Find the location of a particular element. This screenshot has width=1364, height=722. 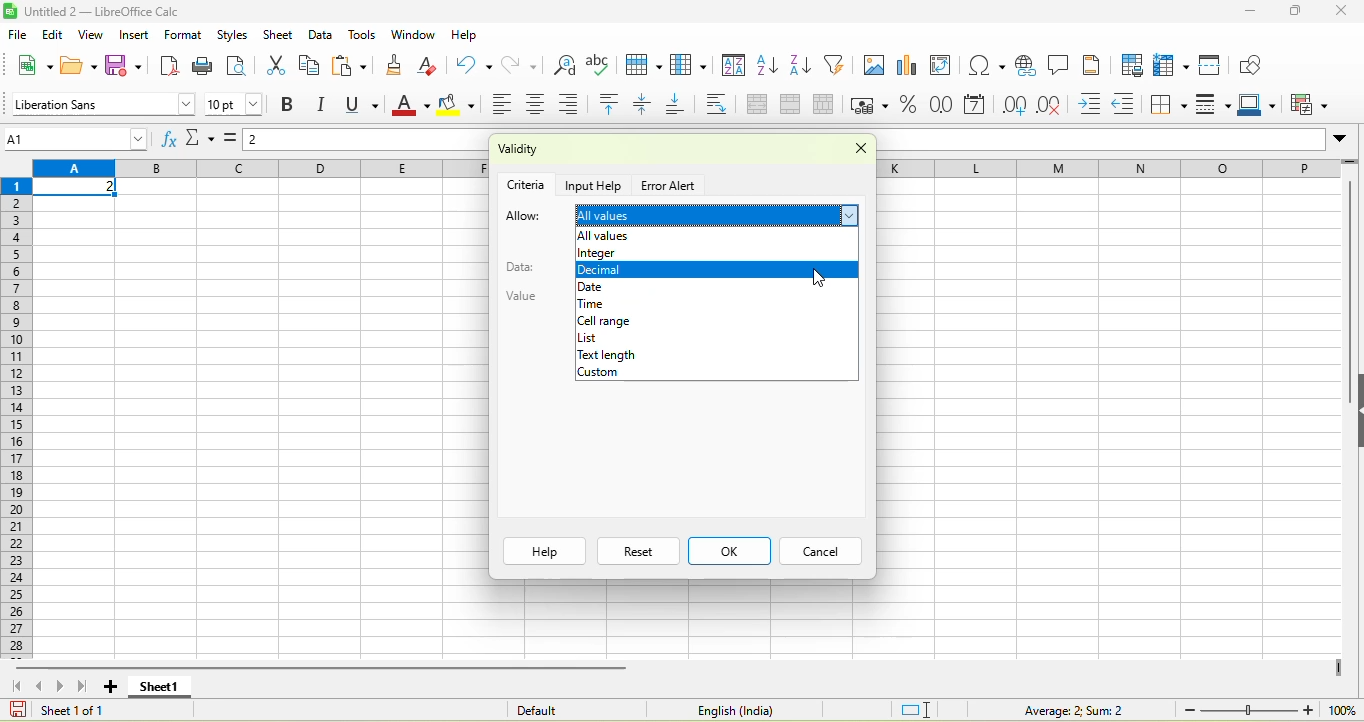

rows is located at coordinates (19, 417).